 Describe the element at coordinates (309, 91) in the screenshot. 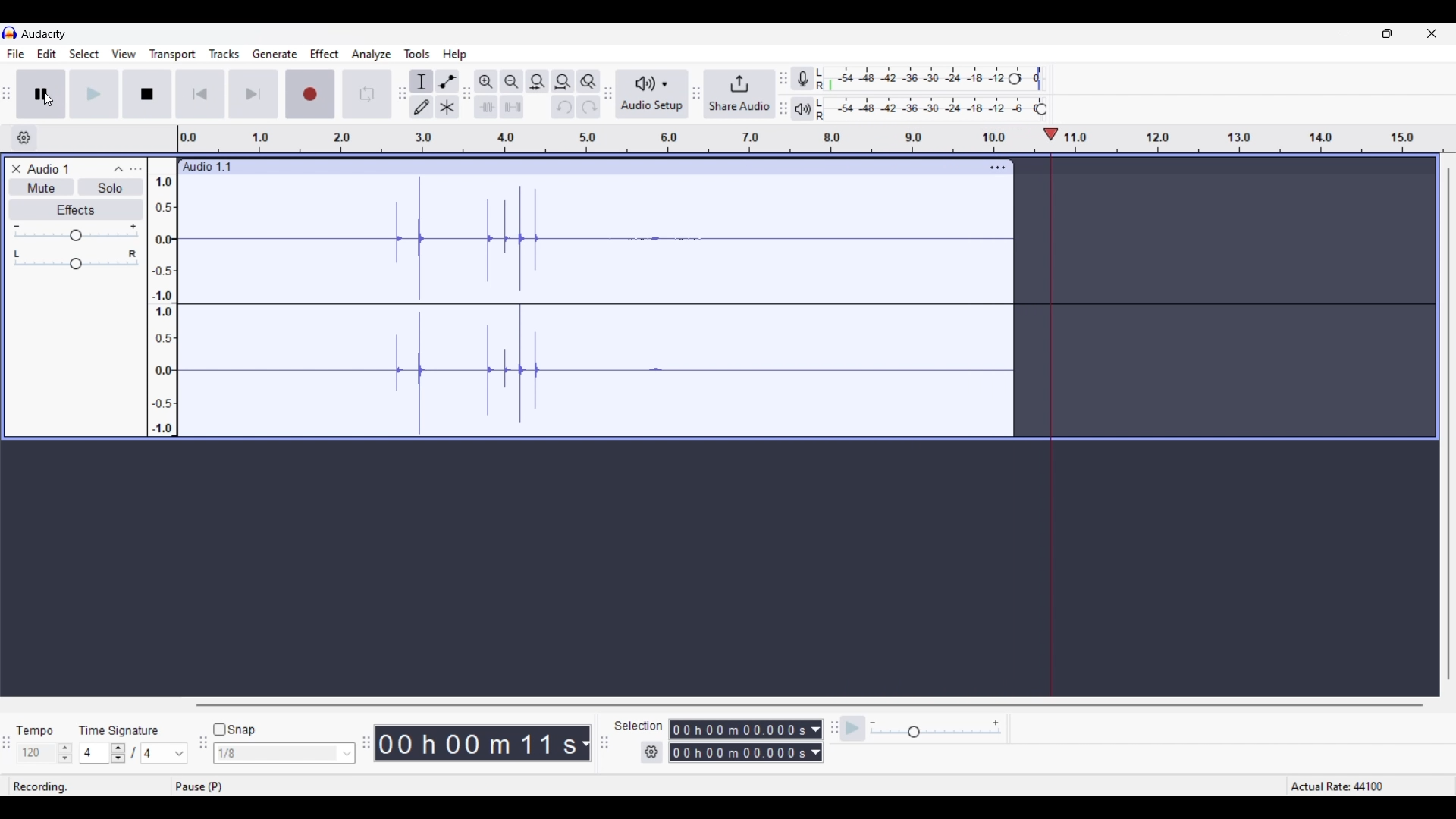

I see `Record/Record new track` at that location.